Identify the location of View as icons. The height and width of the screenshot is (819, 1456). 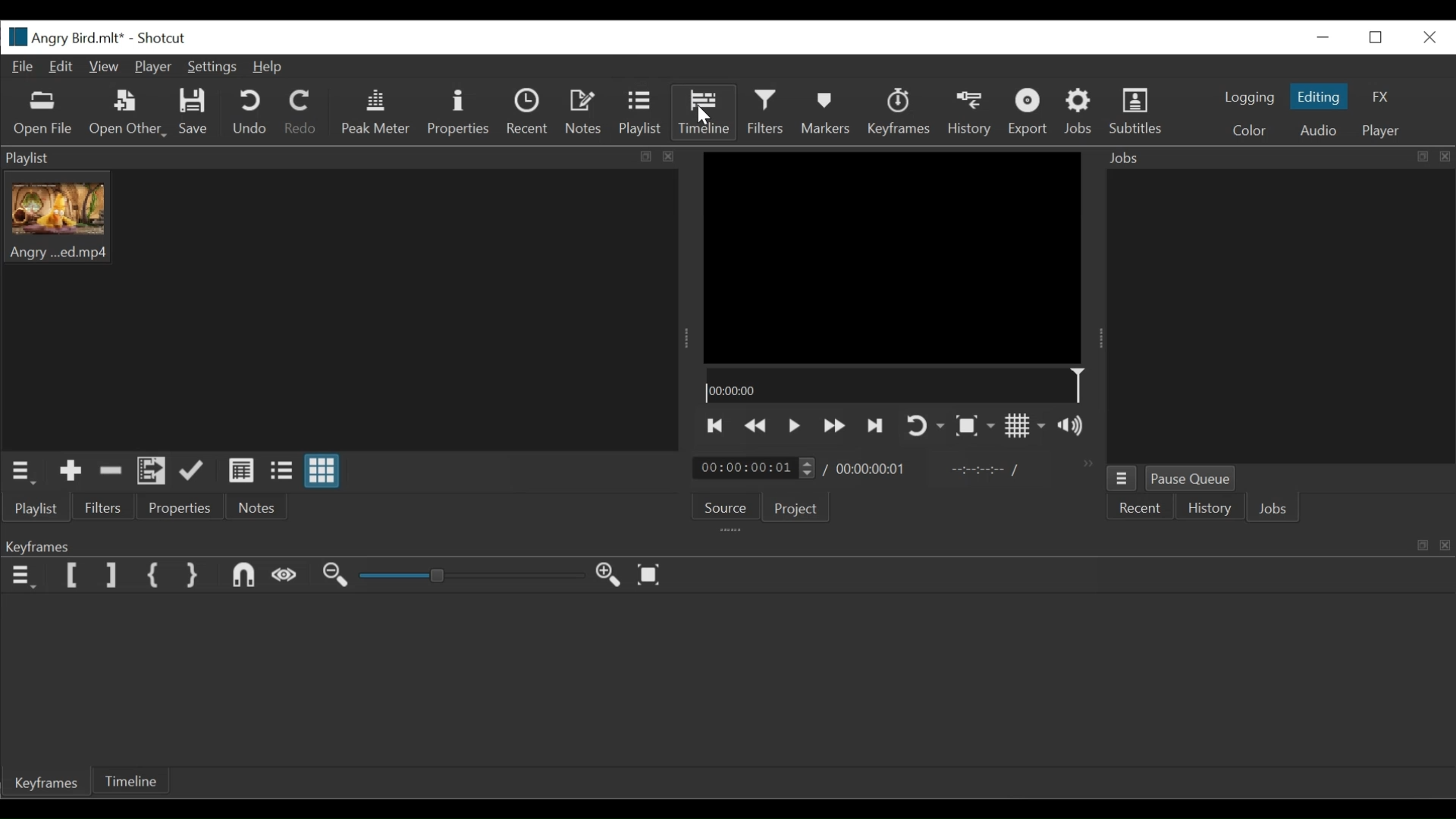
(324, 471).